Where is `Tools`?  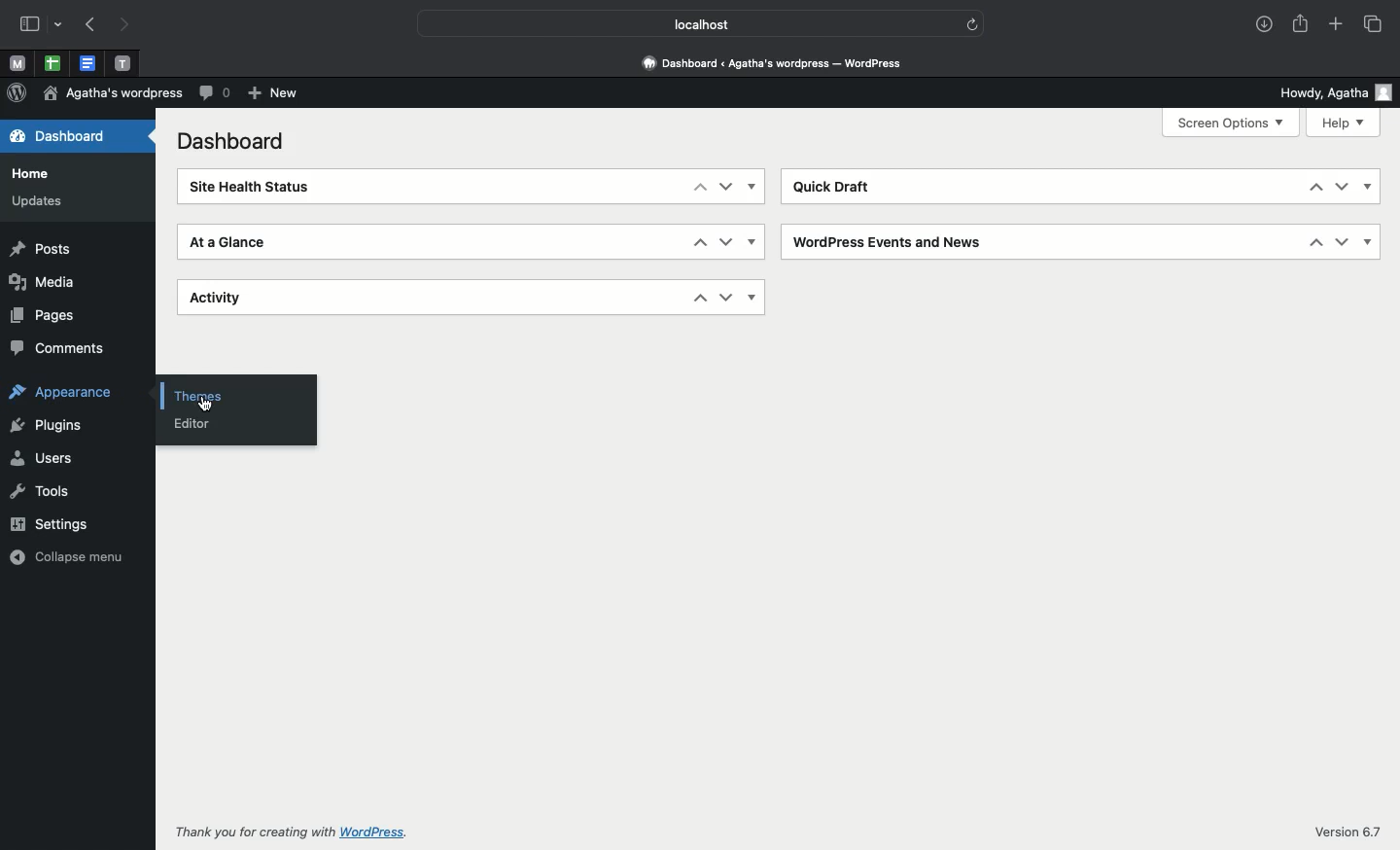 Tools is located at coordinates (42, 490).